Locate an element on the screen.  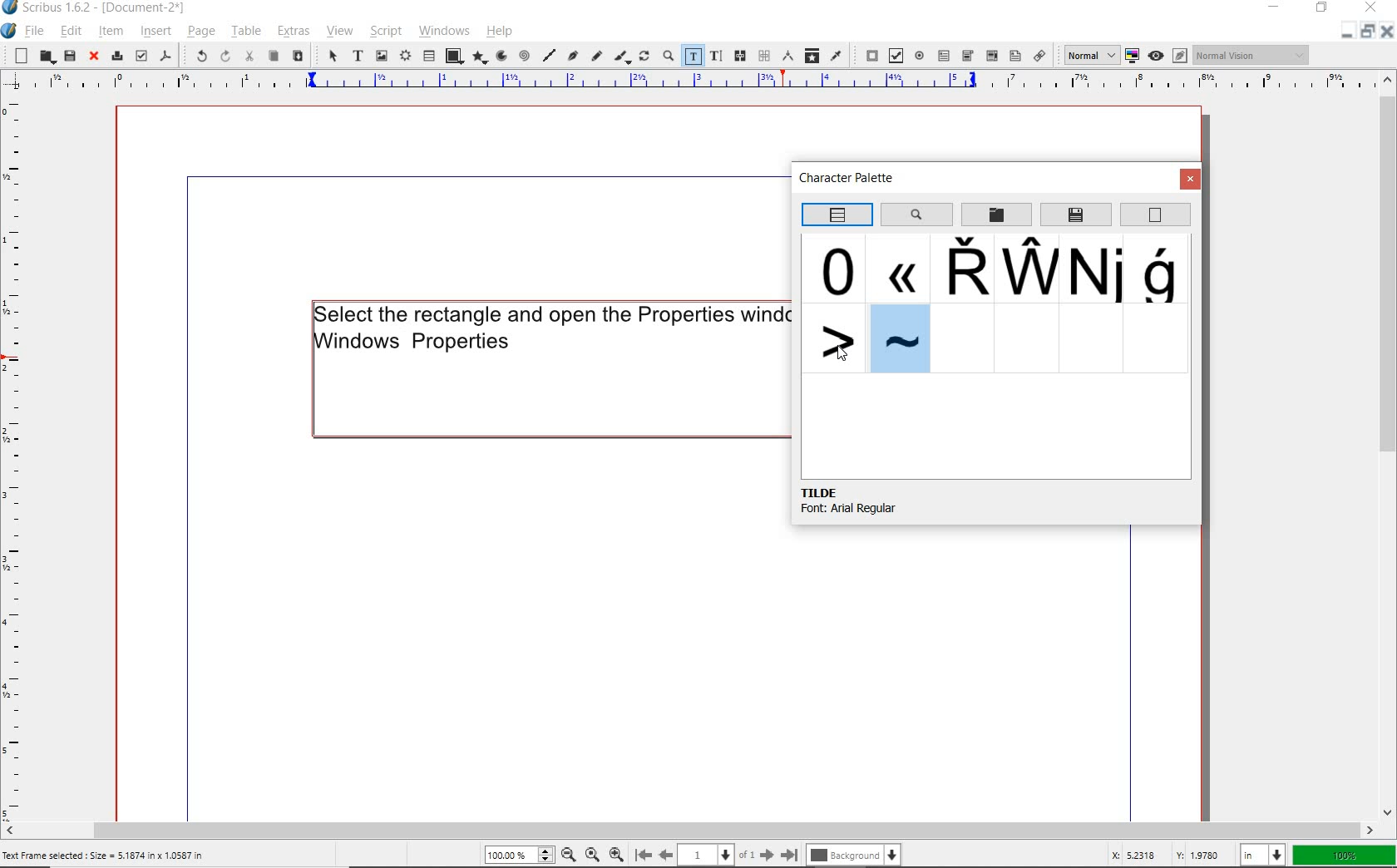
shape is located at coordinates (454, 55).